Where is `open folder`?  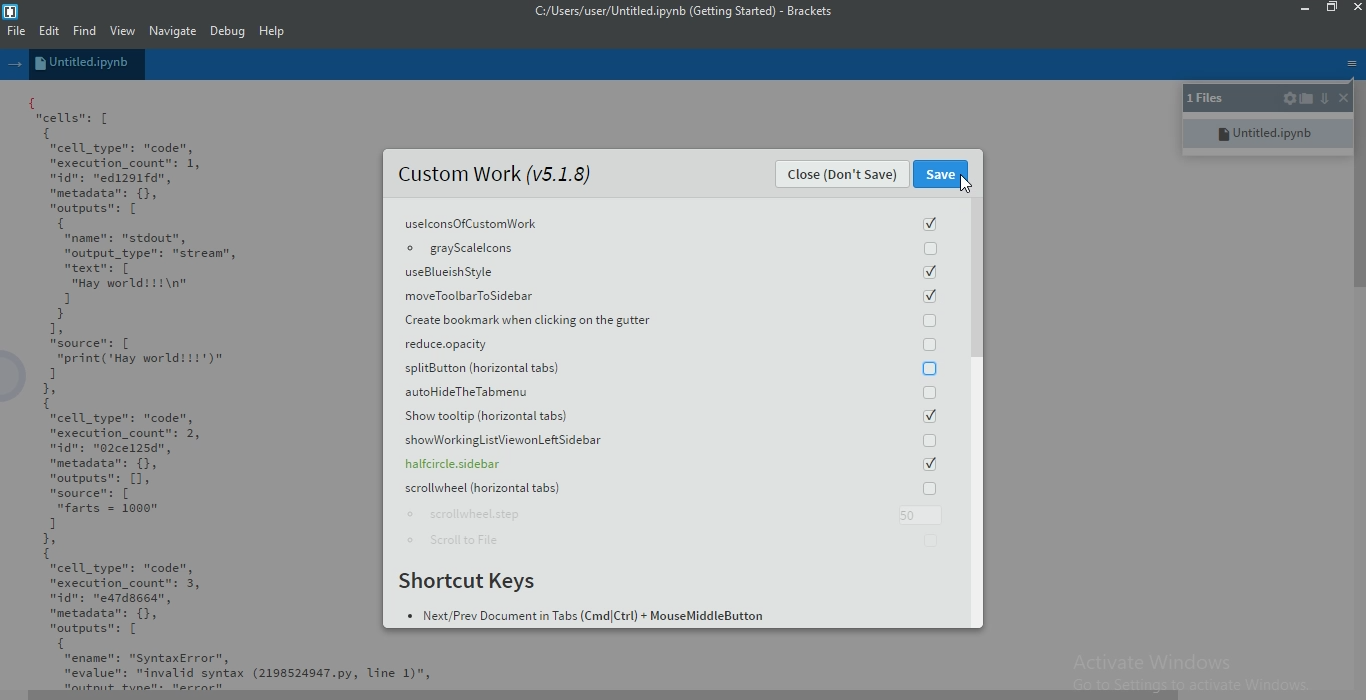 open folder is located at coordinates (1307, 98).